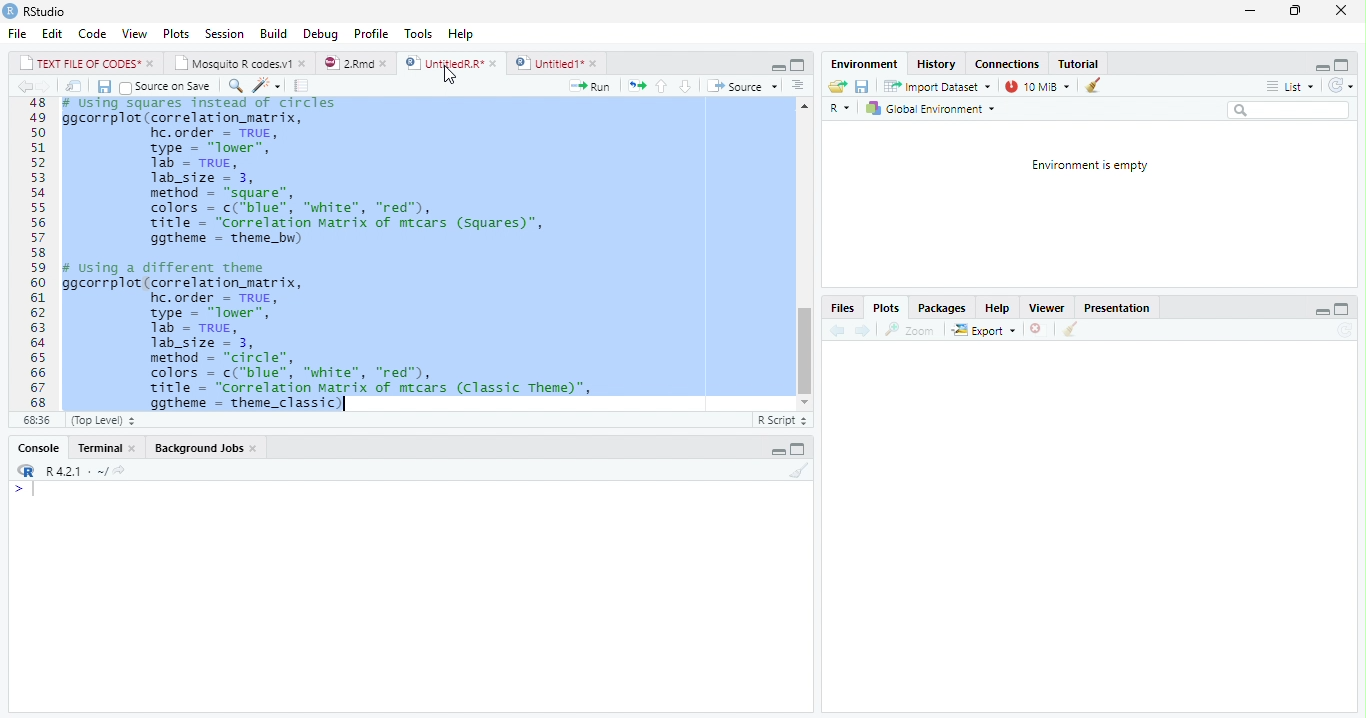  What do you see at coordinates (167, 87) in the screenshot?
I see `Source on Save` at bounding box center [167, 87].